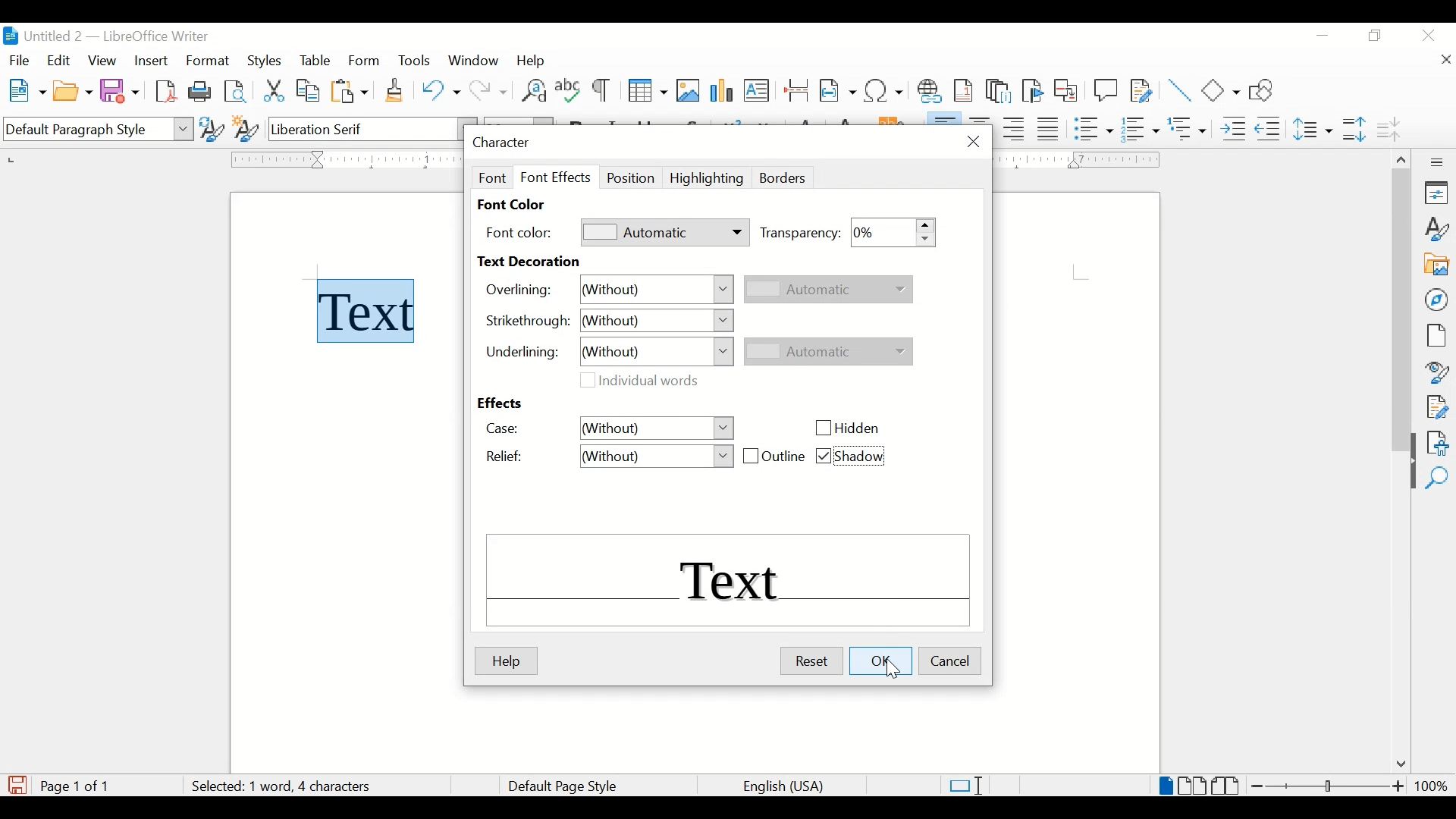 The image size is (1456, 819). Describe the element at coordinates (1429, 34) in the screenshot. I see `close` at that location.